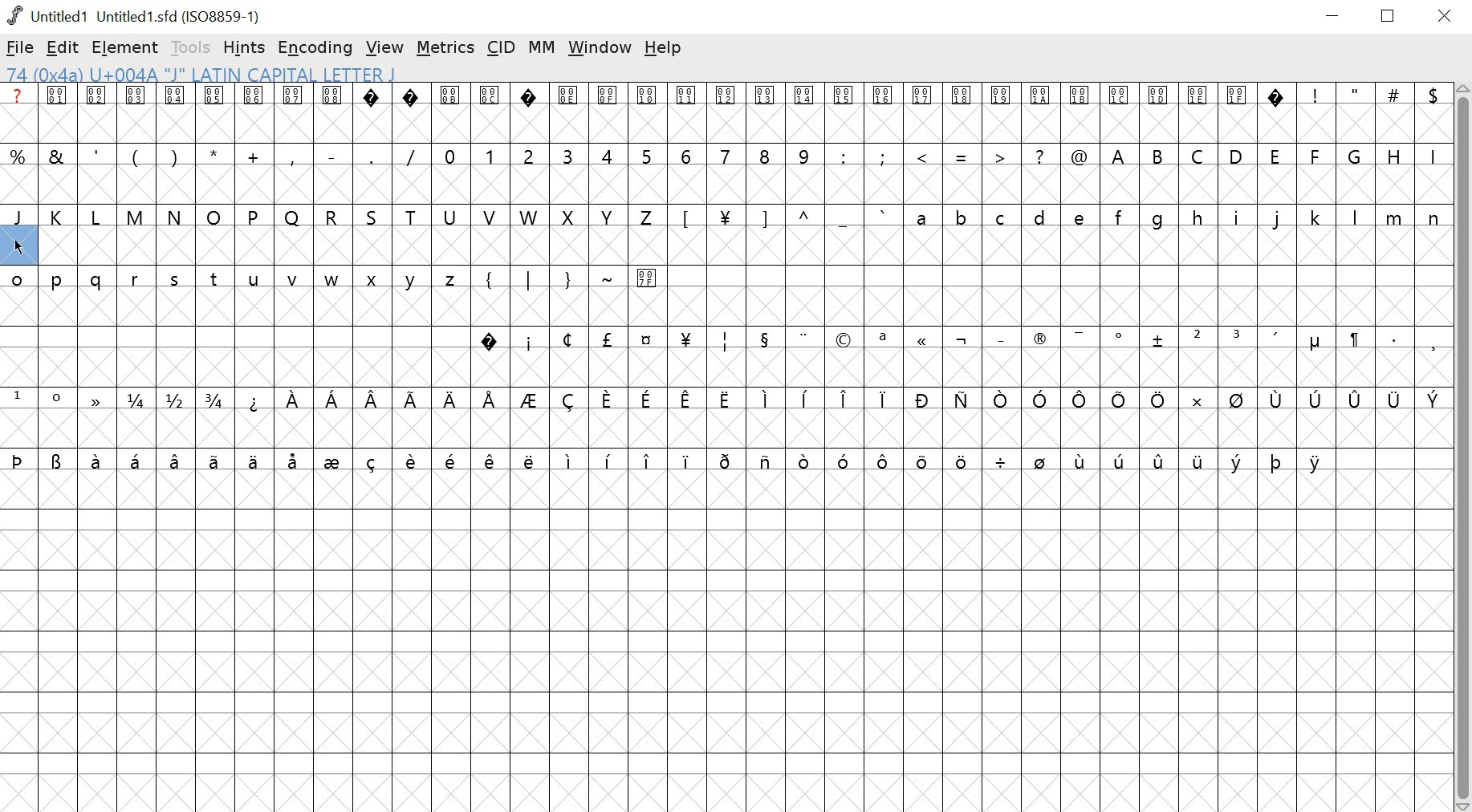 The width and height of the screenshot is (1472, 812). Describe the element at coordinates (384, 49) in the screenshot. I see `VIEW` at that location.